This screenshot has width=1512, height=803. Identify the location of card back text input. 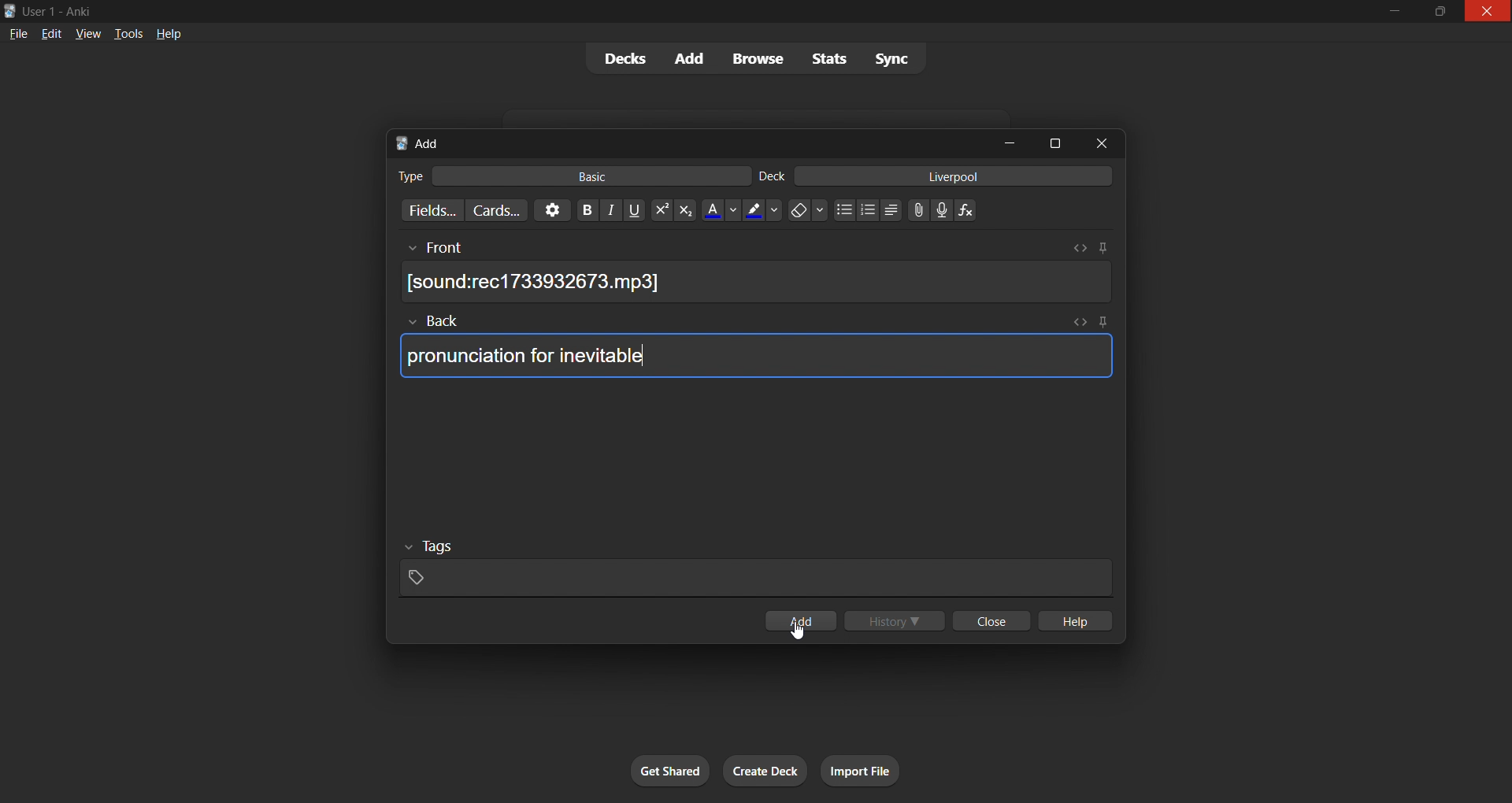
(748, 356).